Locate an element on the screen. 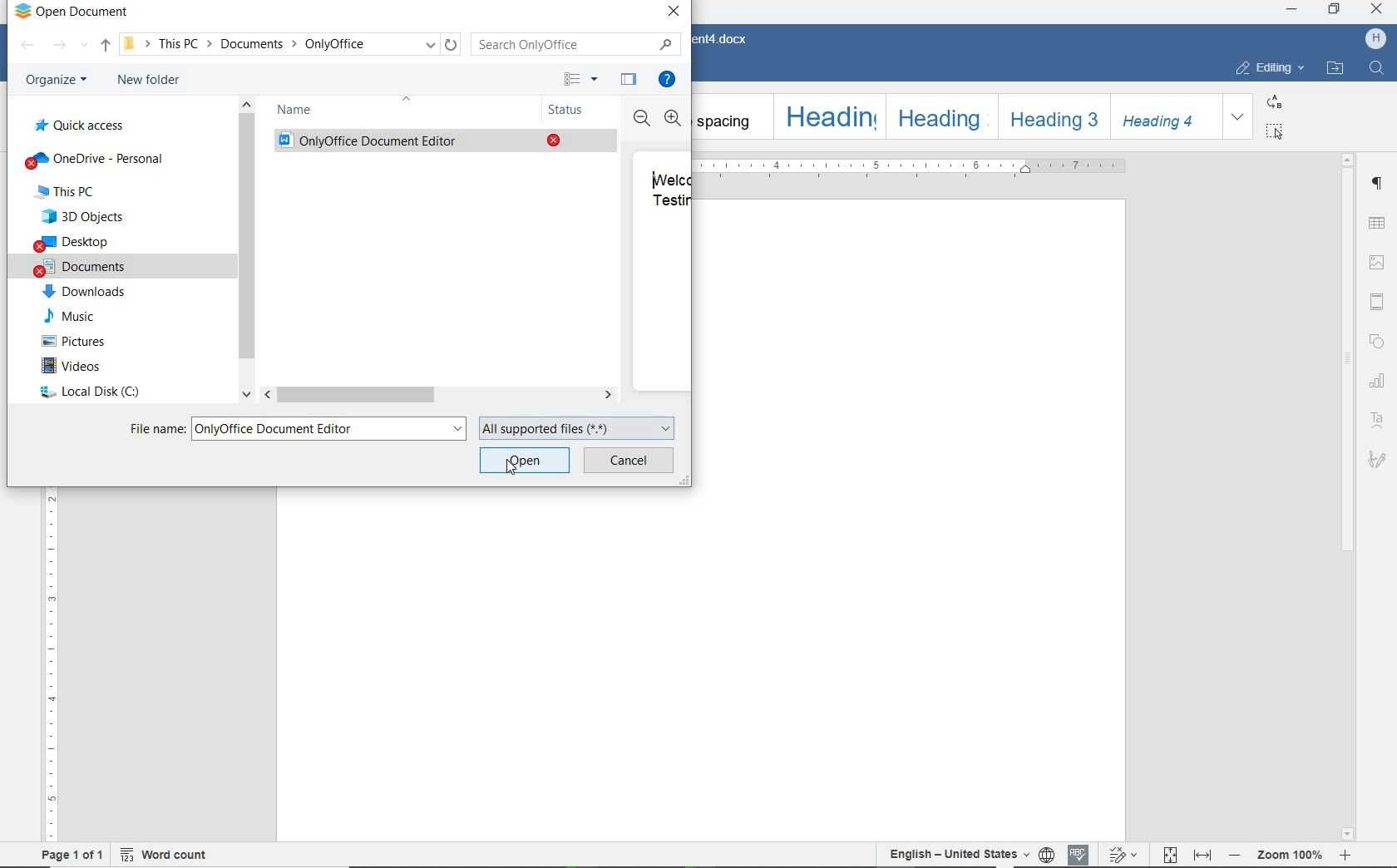 This screenshot has height=868, width=1397. fit to width is located at coordinates (1203, 856).